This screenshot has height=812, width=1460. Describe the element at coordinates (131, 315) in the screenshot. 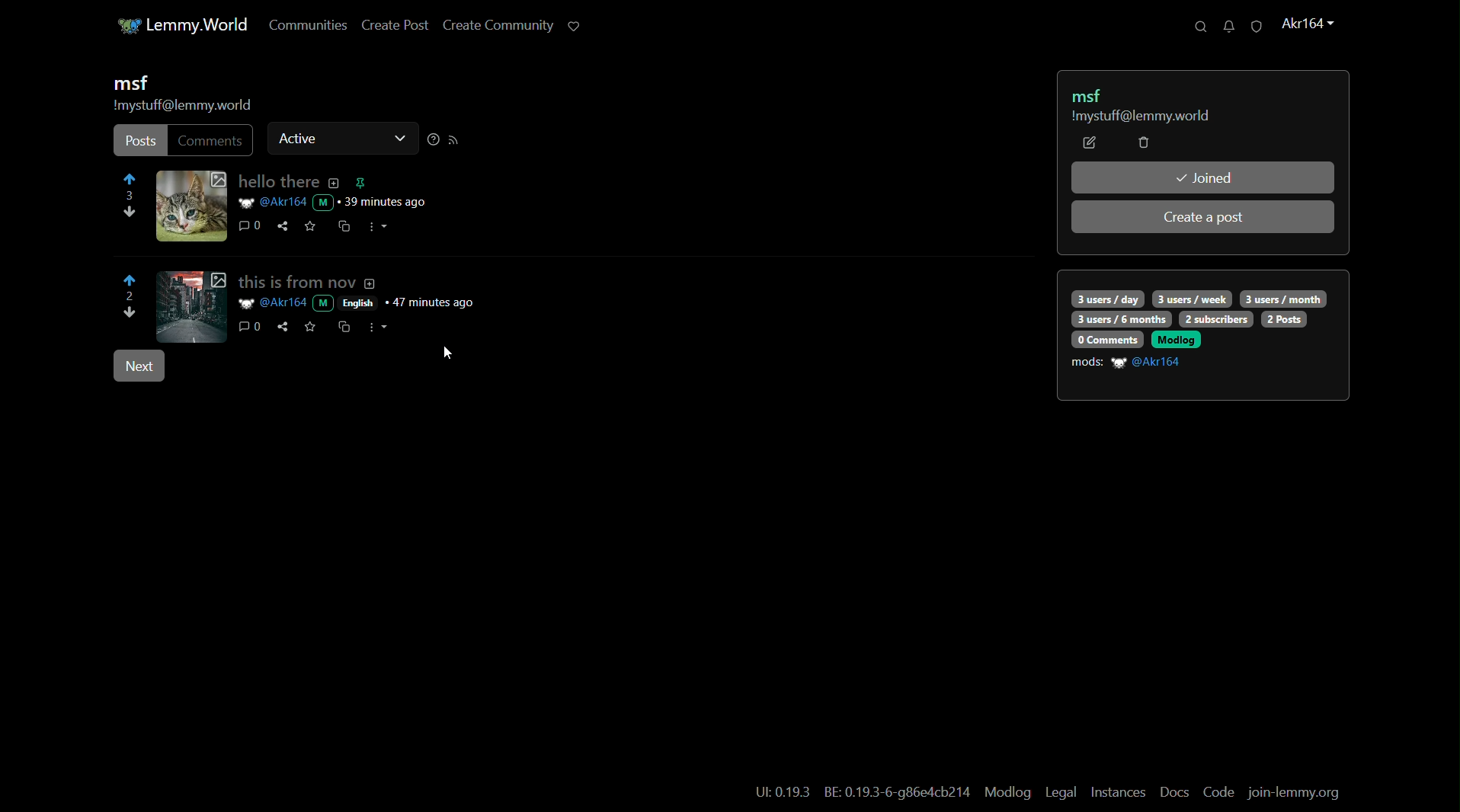

I see `downvote` at that location.